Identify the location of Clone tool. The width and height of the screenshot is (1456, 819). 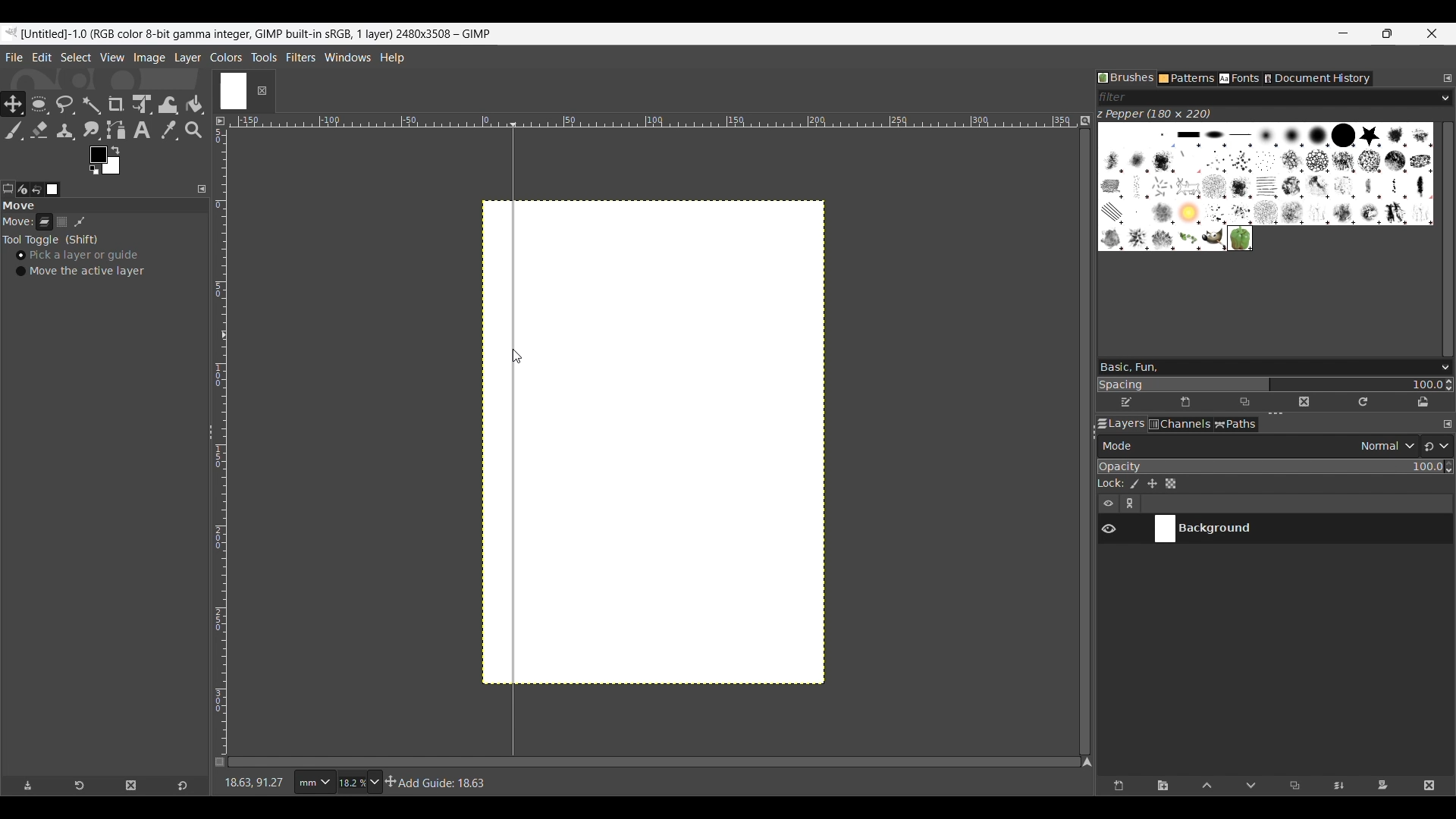
(66, 131).